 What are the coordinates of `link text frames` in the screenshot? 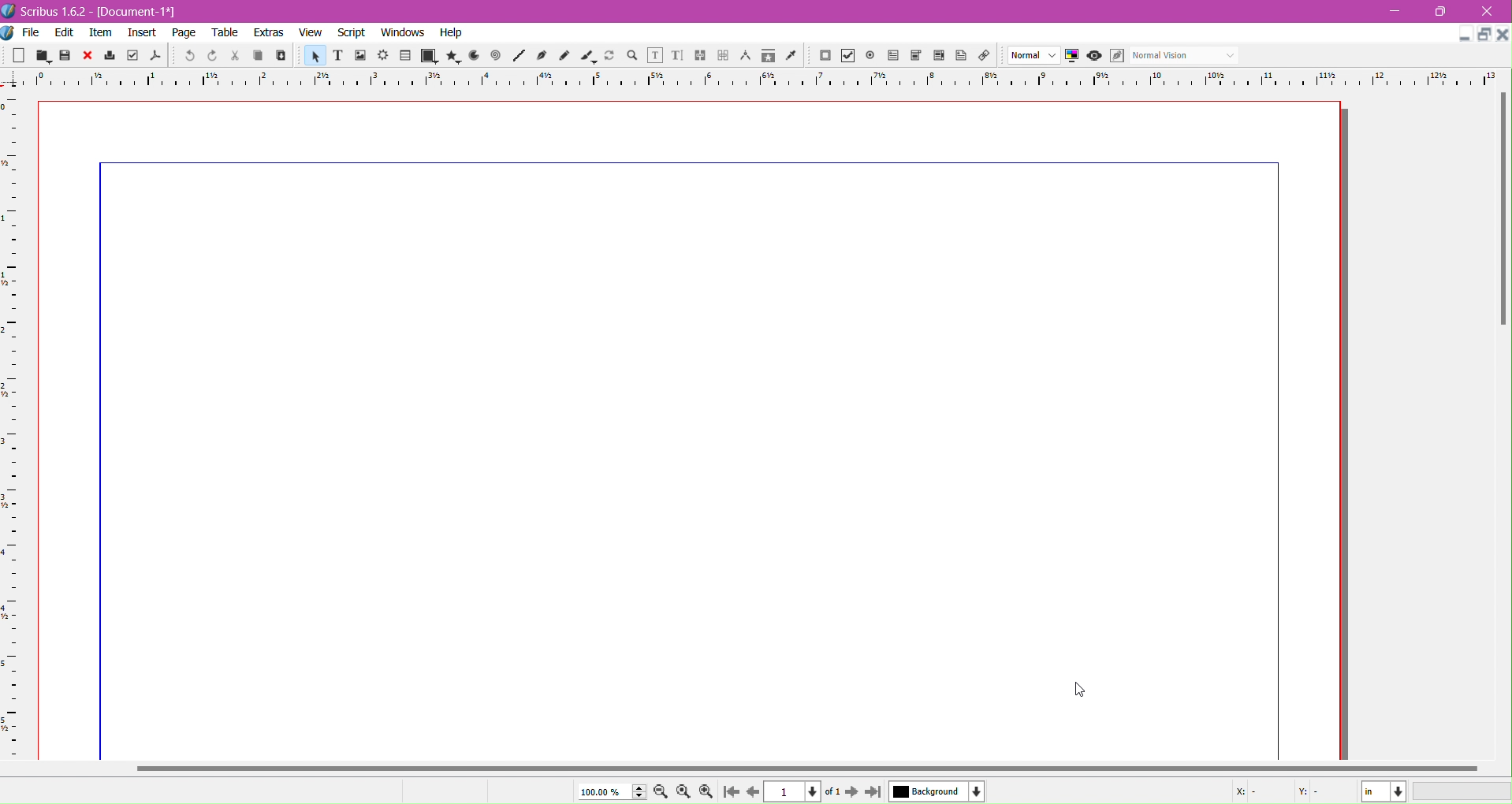 It's located at (700, 56).